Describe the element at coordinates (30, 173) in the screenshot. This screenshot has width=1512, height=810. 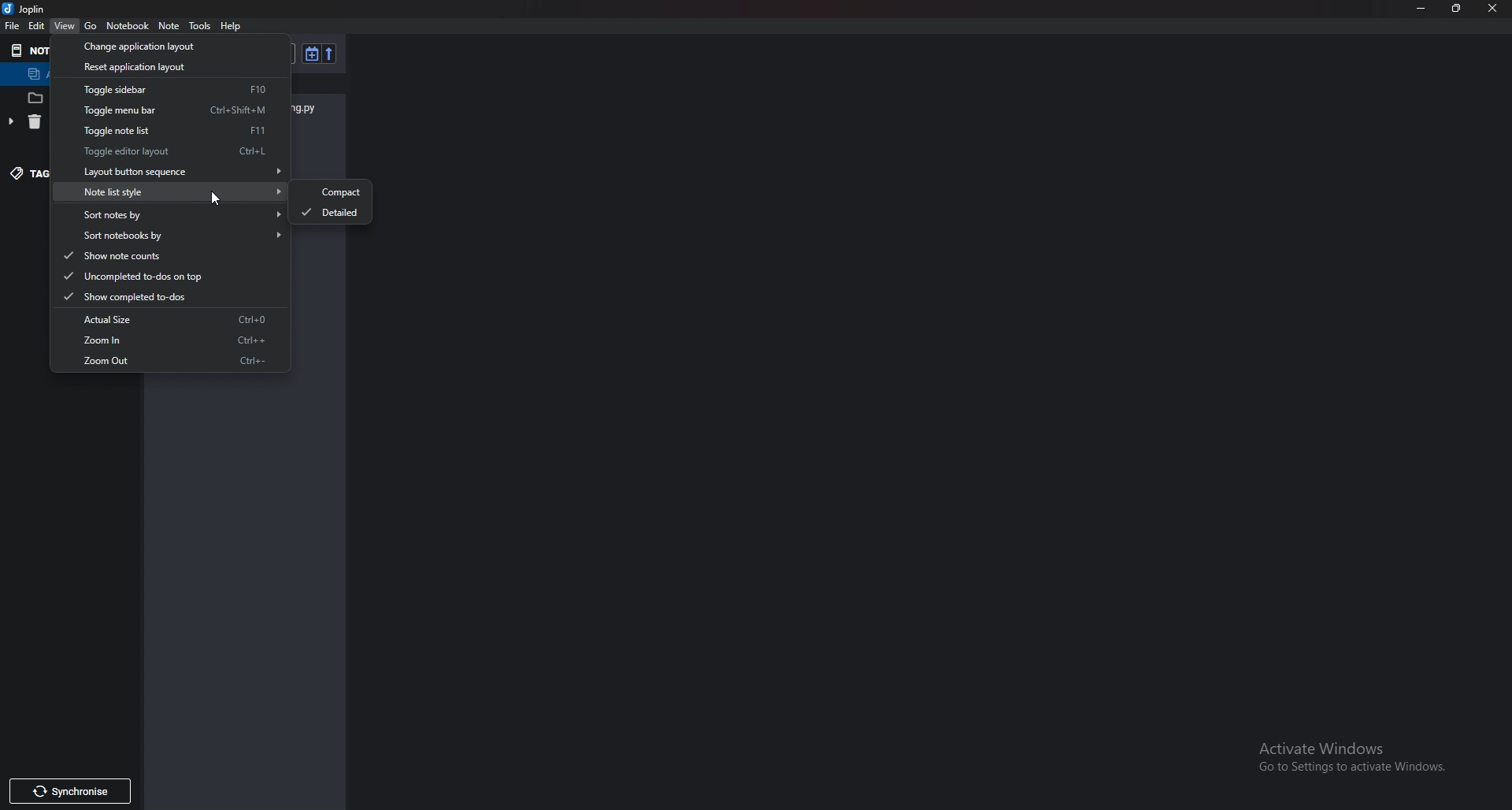
I see `tag` at that location.